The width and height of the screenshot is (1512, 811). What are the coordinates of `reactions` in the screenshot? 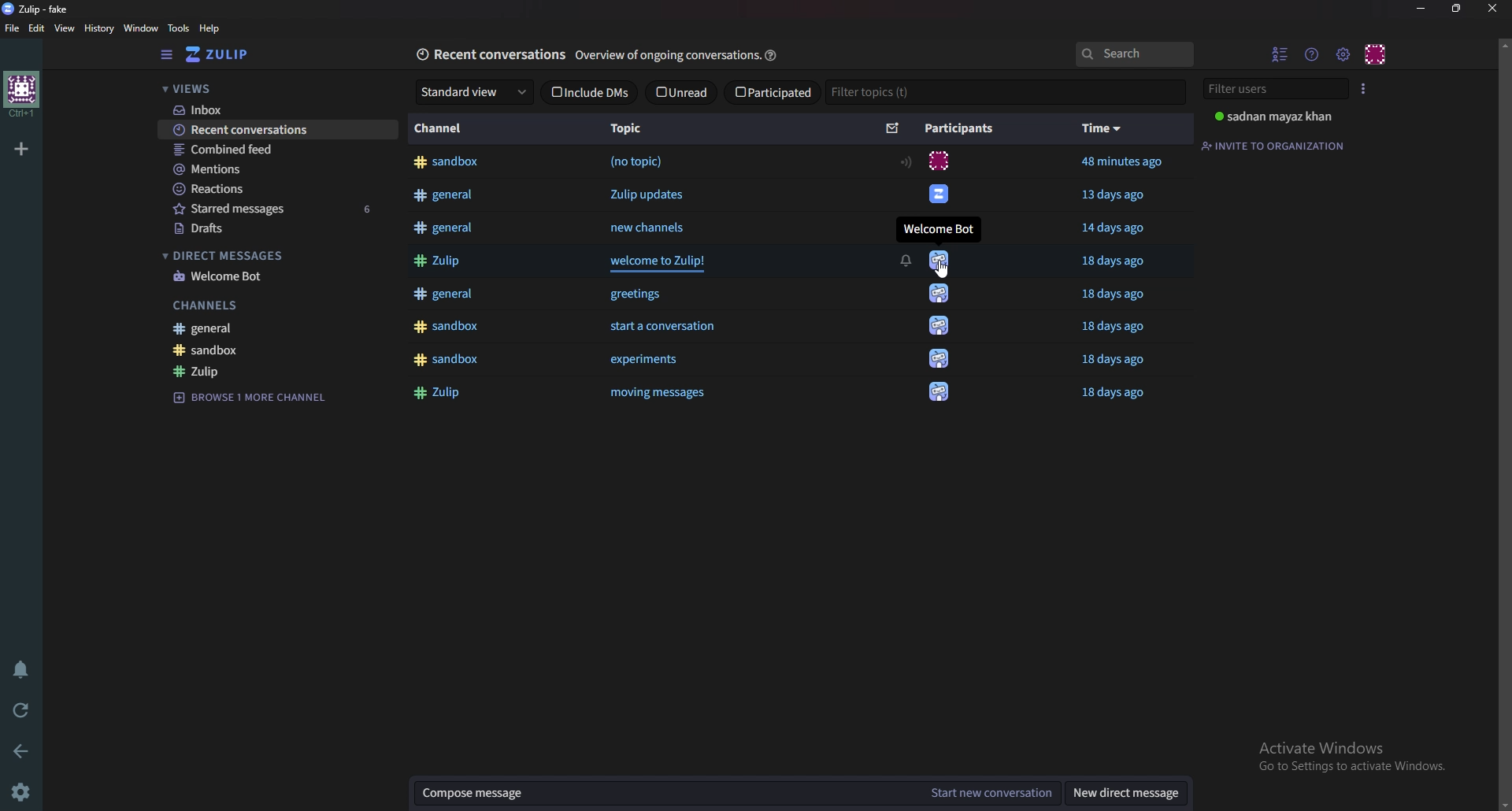 It's located at (275, 189).